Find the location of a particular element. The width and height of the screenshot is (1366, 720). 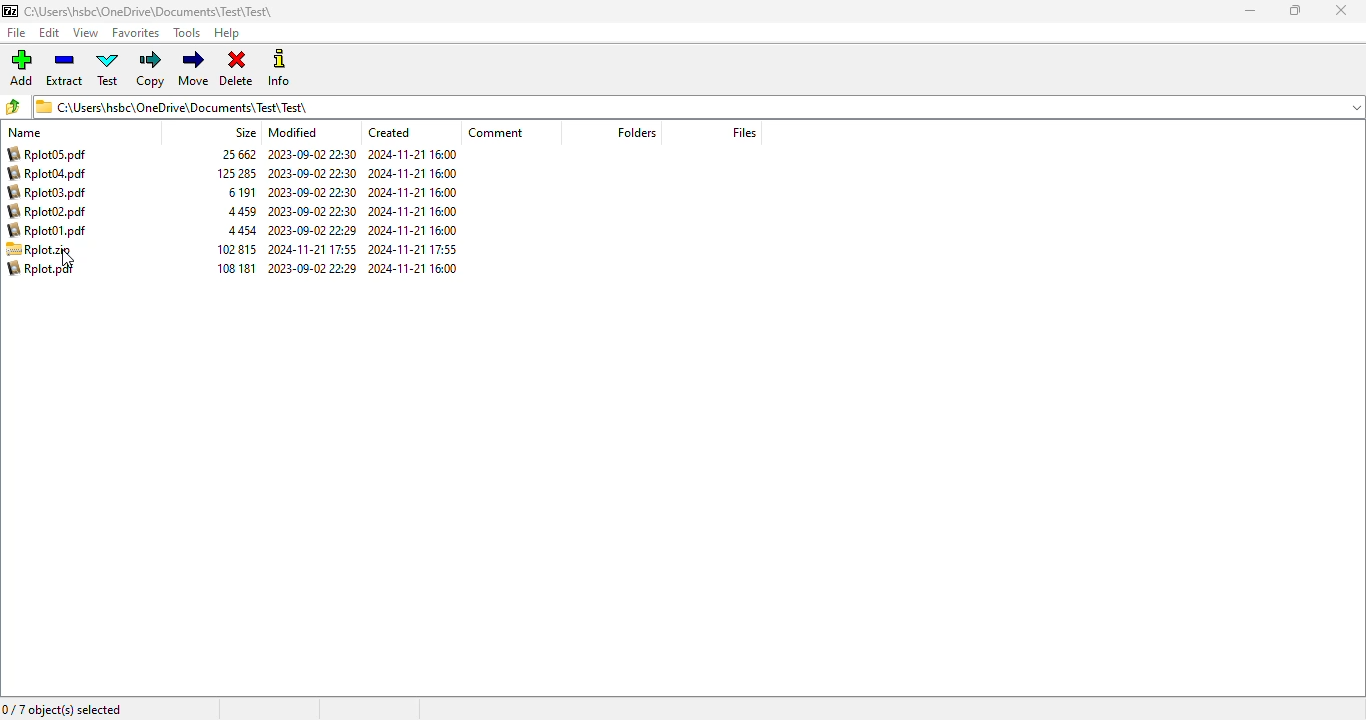

folders is located at coordinates (636, 132).